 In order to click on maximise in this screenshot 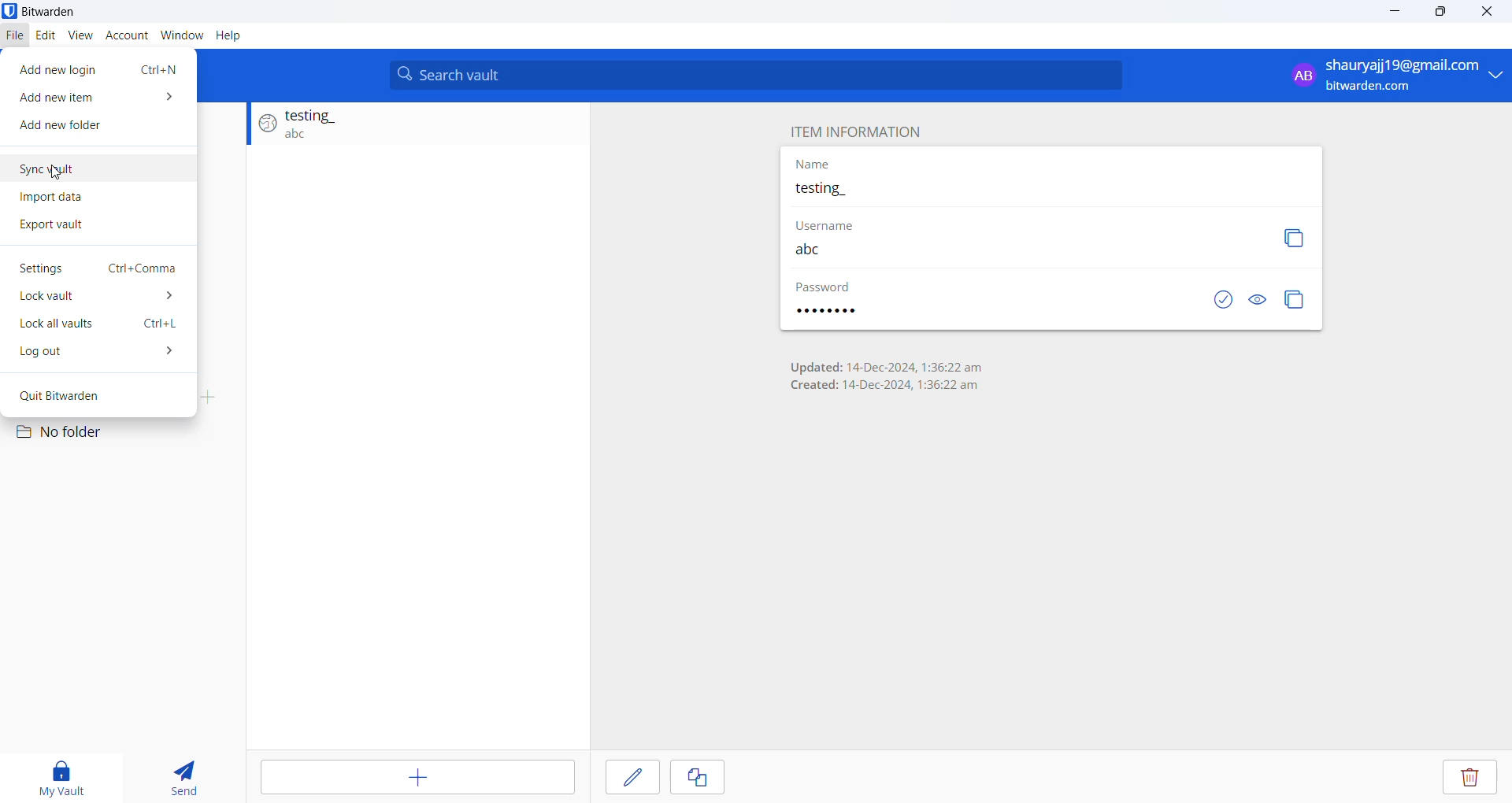, I will do `click(1442, 15)`.